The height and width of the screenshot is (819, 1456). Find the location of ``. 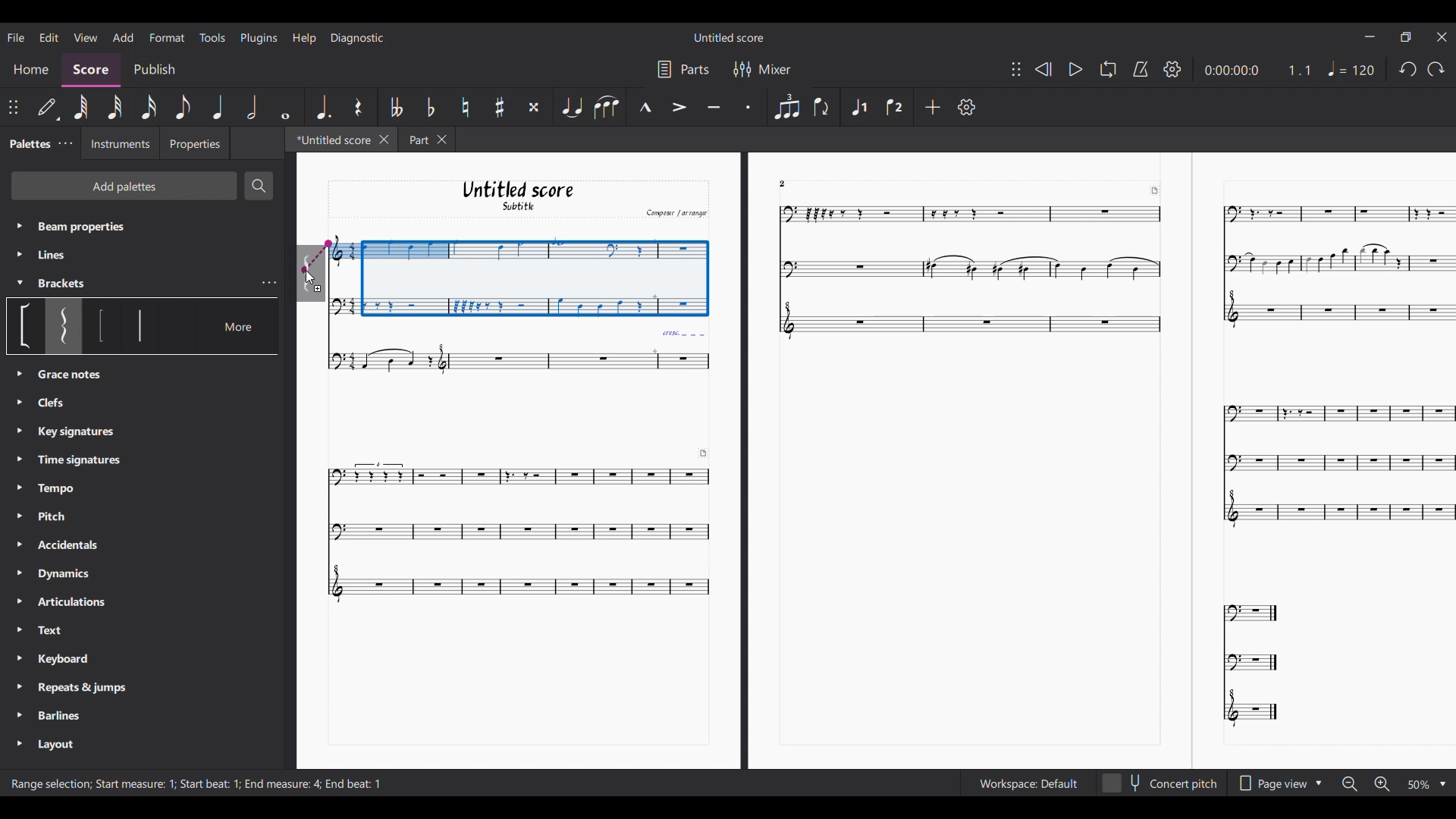

 is located at coordinates (17, 574).